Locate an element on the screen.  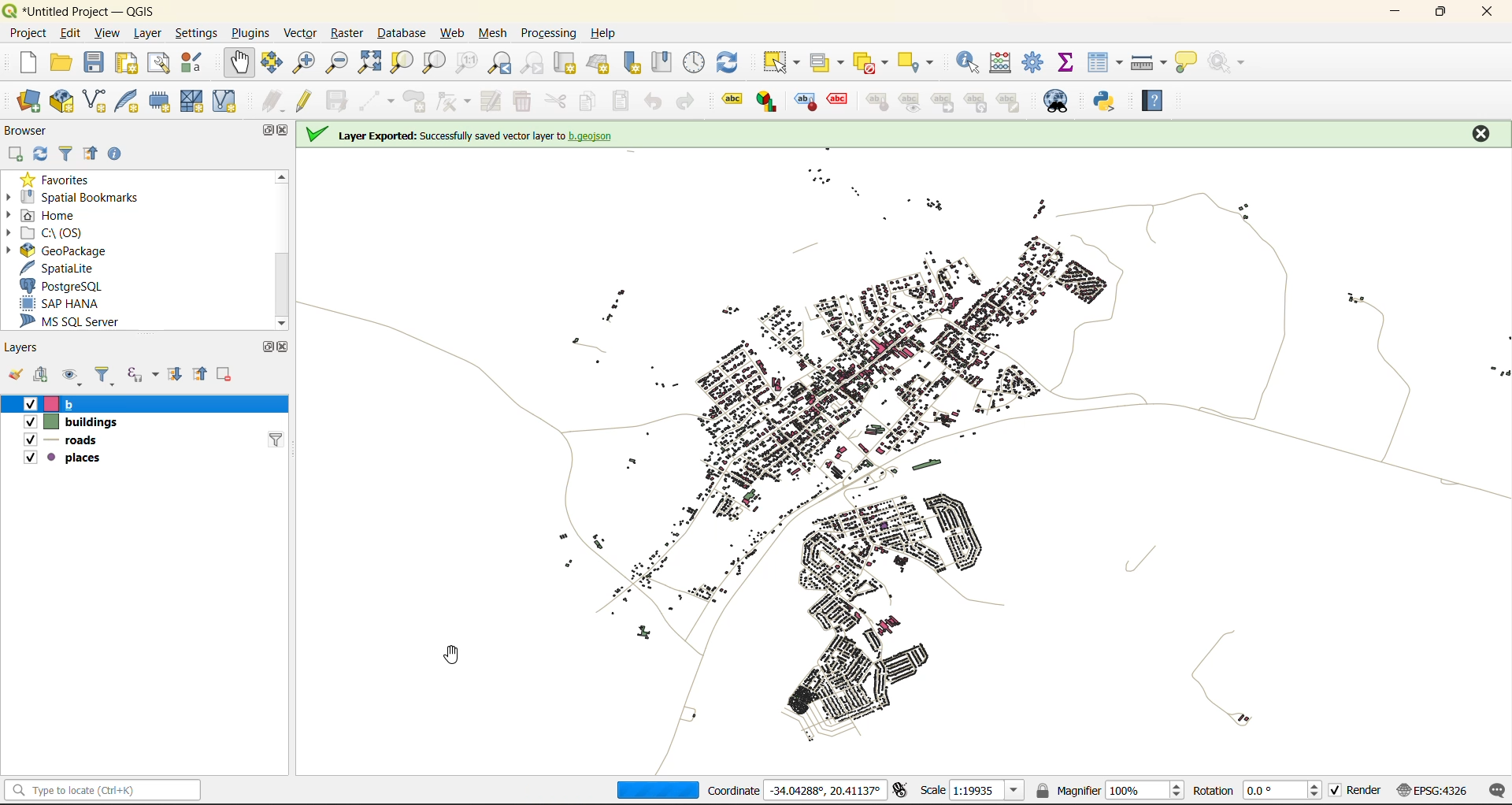
buildings is located at coordinates (62, 421).